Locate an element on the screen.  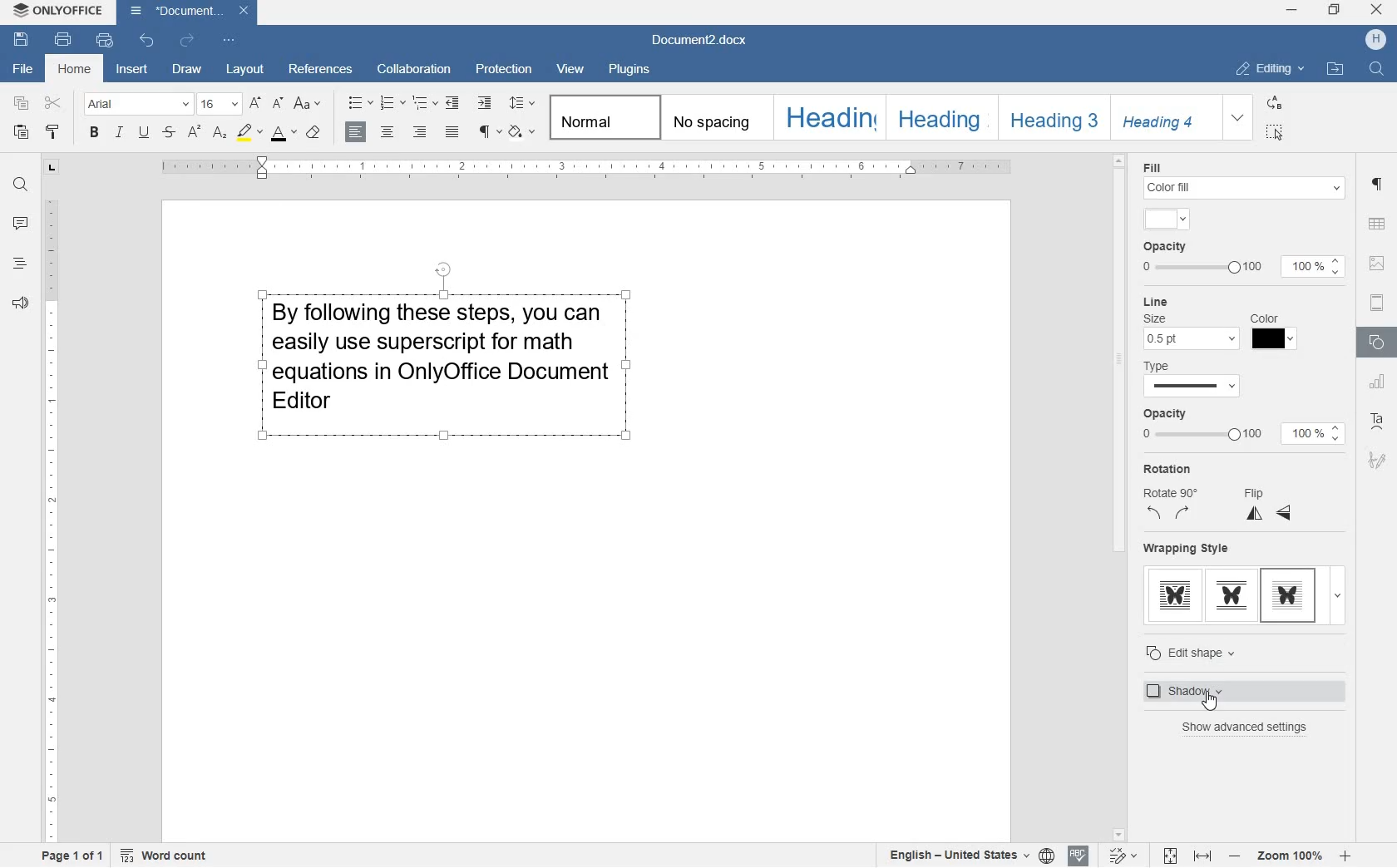
find is located at coordinates (23, 186).